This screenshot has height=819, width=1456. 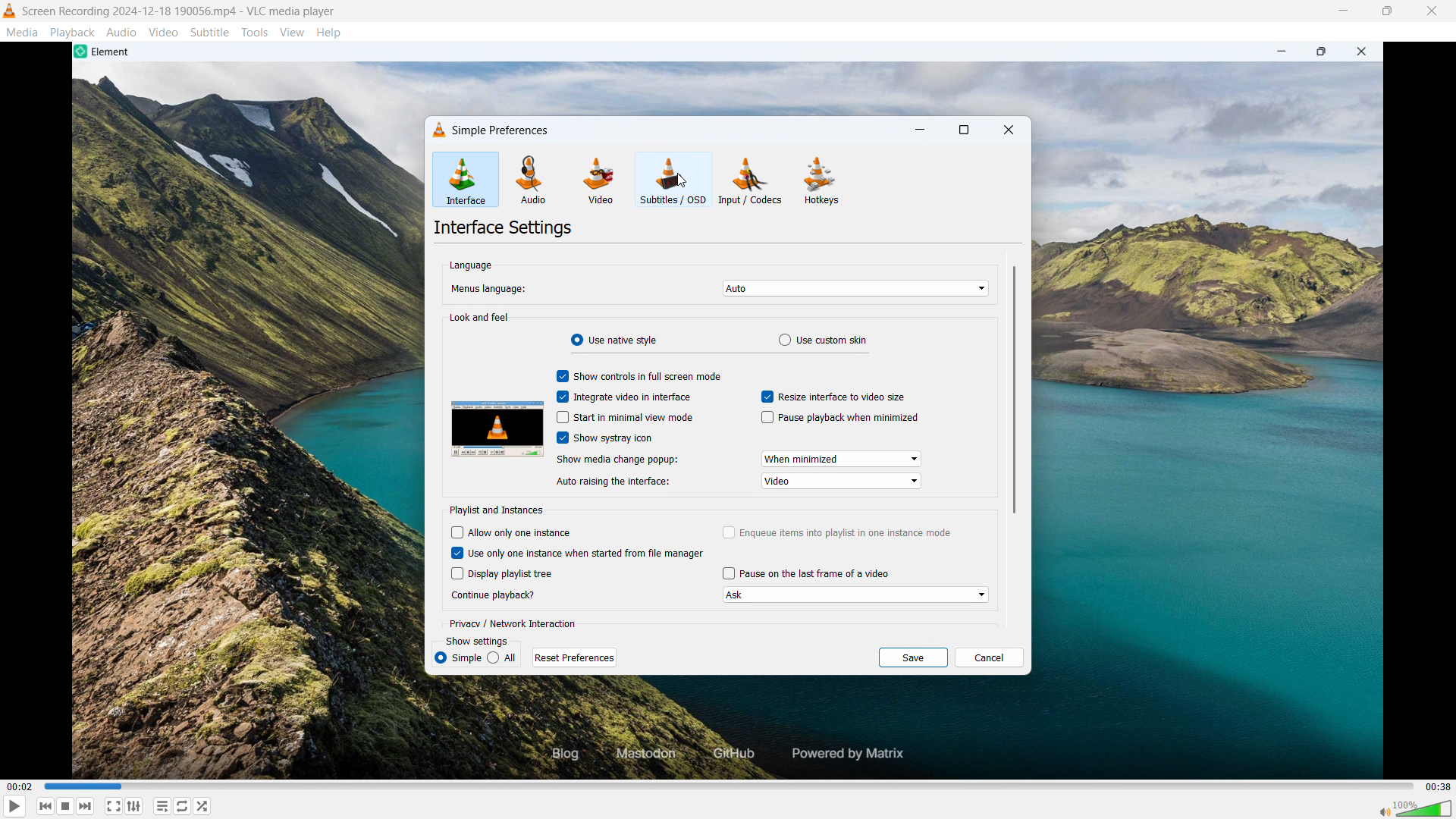 What do you see at coordinates (833, 397) in the screenshot?
I see `resize interface to video size` at bounding box center [833, 397].